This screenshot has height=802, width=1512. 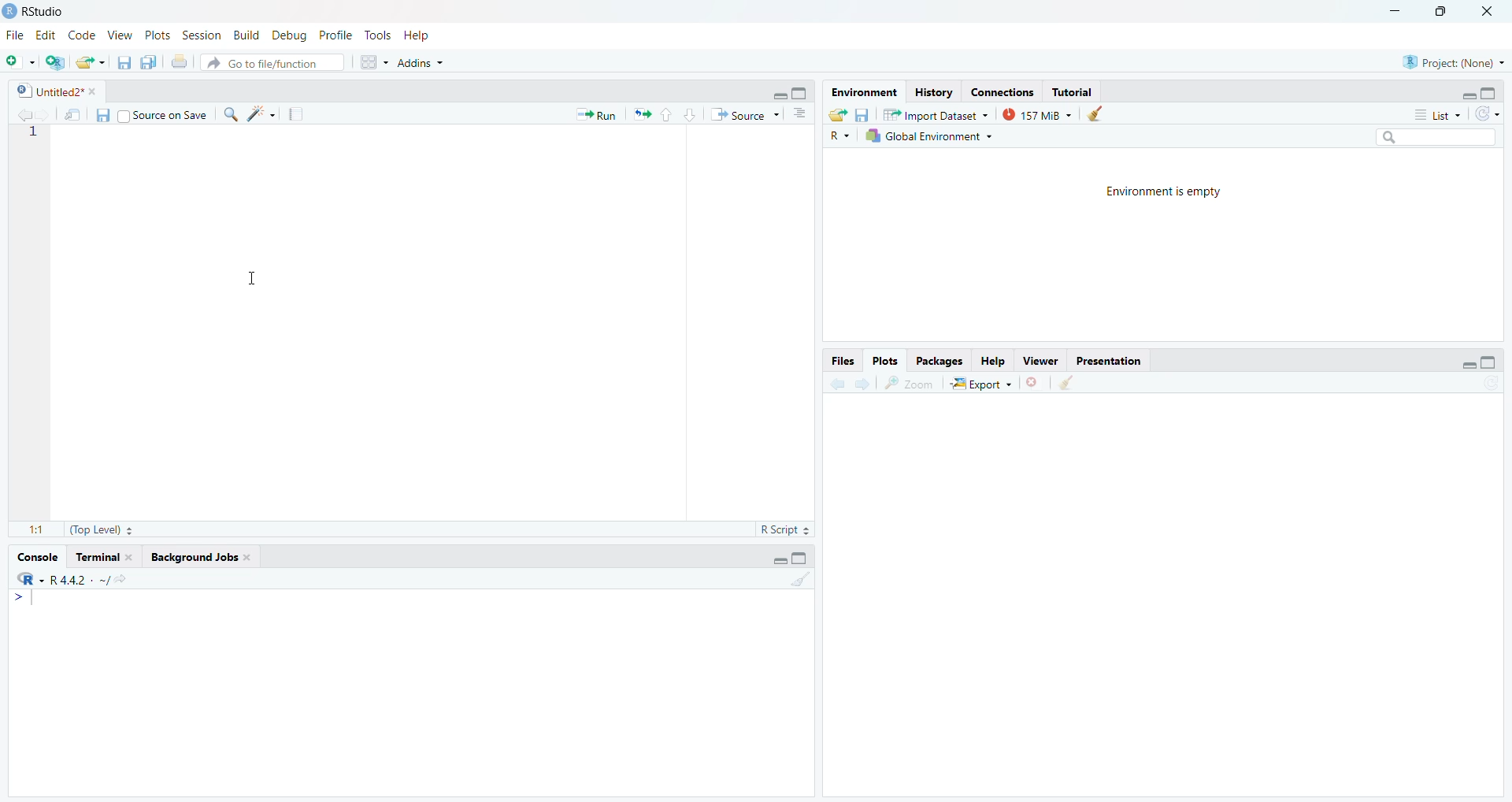 I want to click on maximize, so click(x=799, y=94).